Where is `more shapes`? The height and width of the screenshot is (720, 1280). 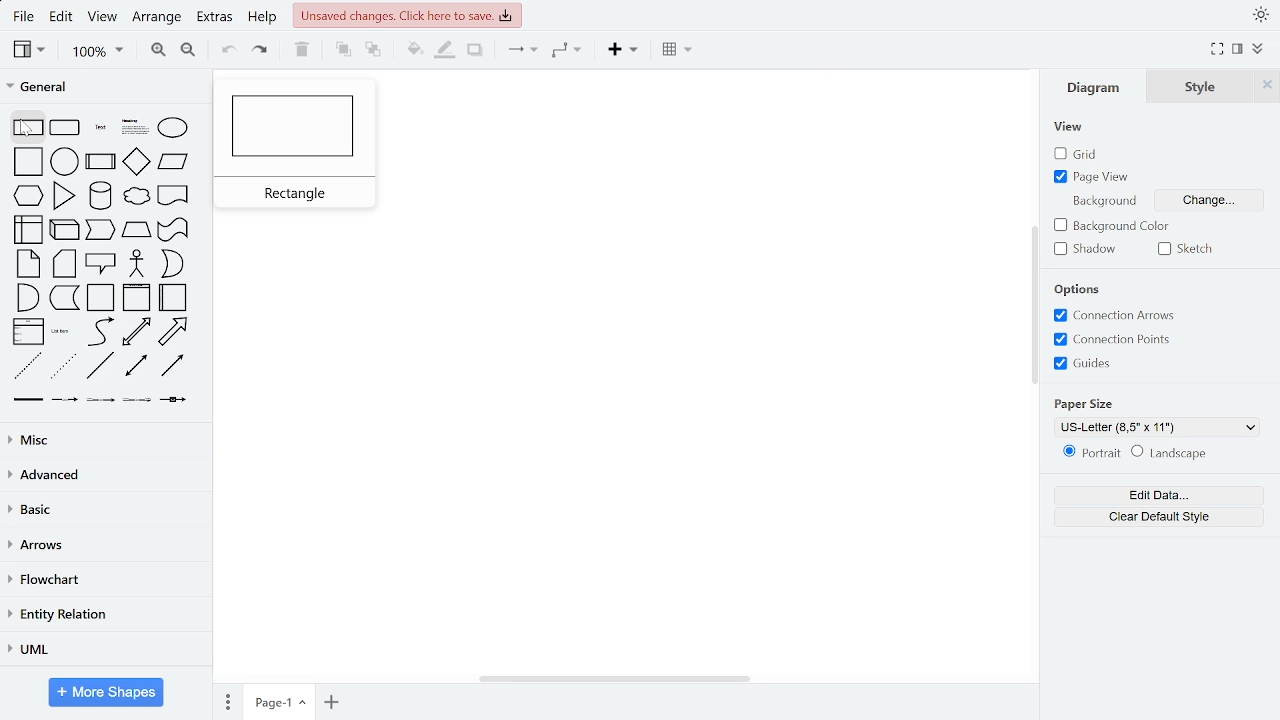
more shapes is located at coordinates (107, 692).